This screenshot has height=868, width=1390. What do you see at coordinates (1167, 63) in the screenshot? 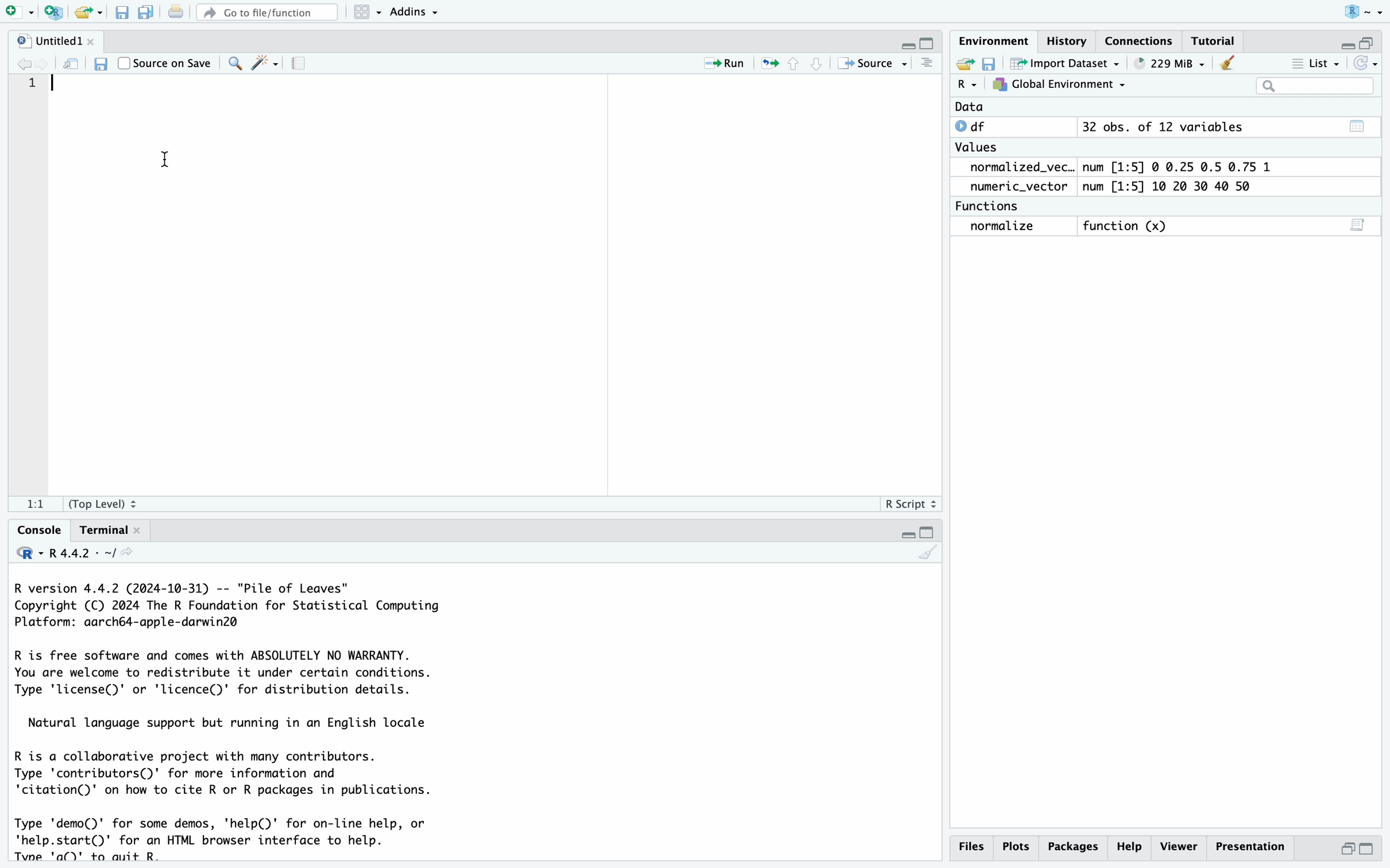
I see `229MiB` at bounding box center [1167, 63].